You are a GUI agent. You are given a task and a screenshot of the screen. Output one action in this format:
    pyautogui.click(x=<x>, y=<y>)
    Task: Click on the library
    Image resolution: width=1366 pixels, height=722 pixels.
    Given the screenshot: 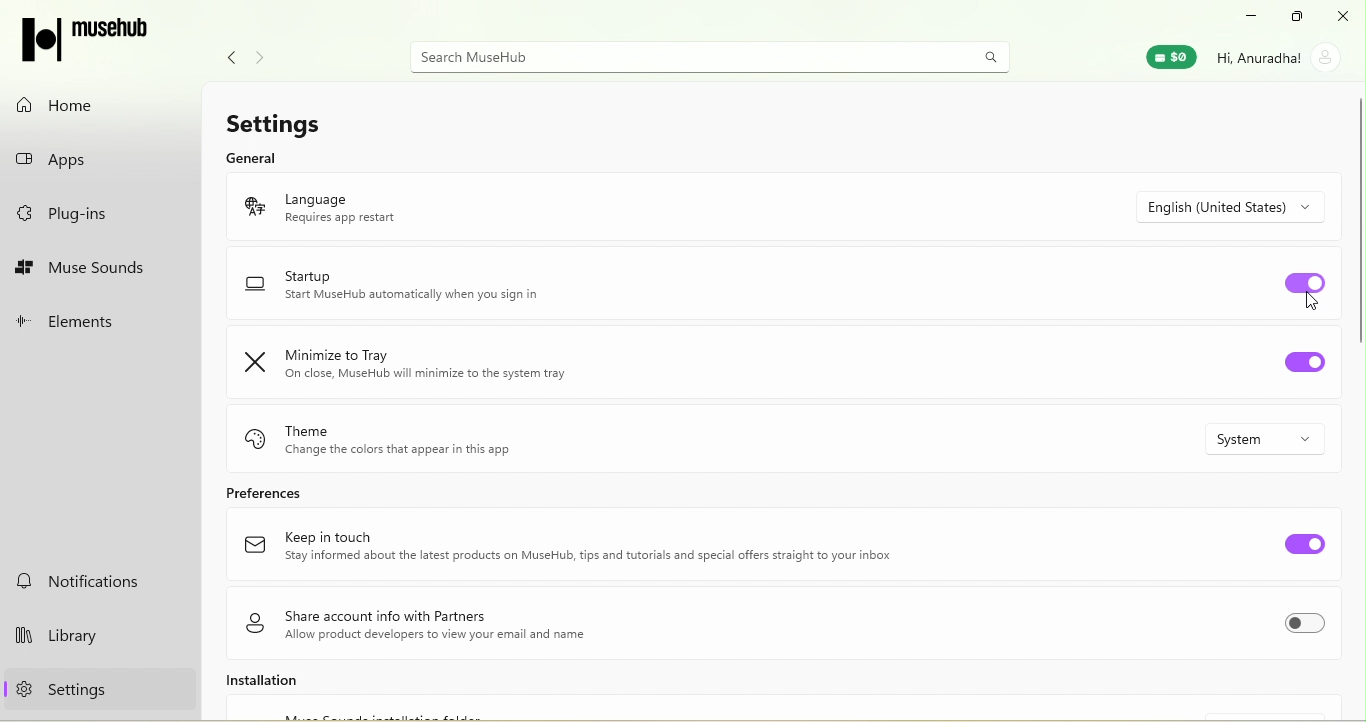 What is the action you would take?
    pyautogui.click(x=92, y=633)
    